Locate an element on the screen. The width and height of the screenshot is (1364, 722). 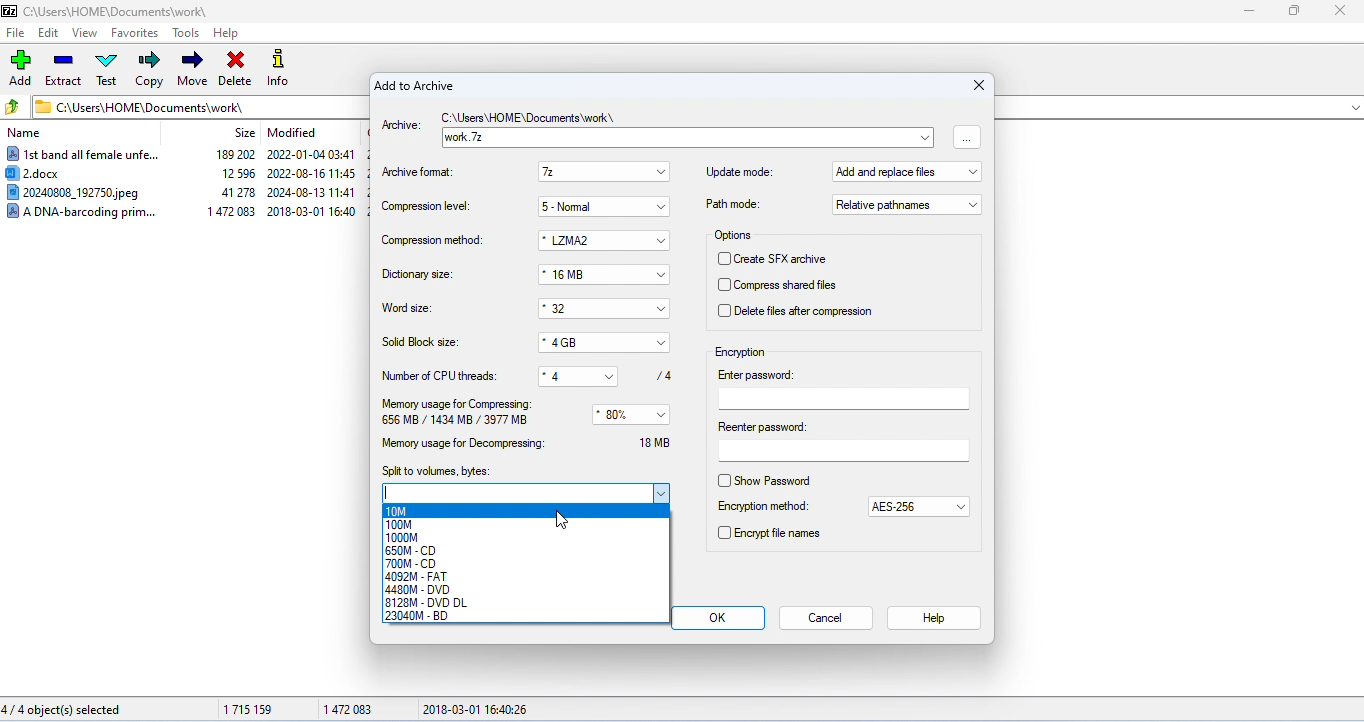
drop down is located at coordinates (616, 374).